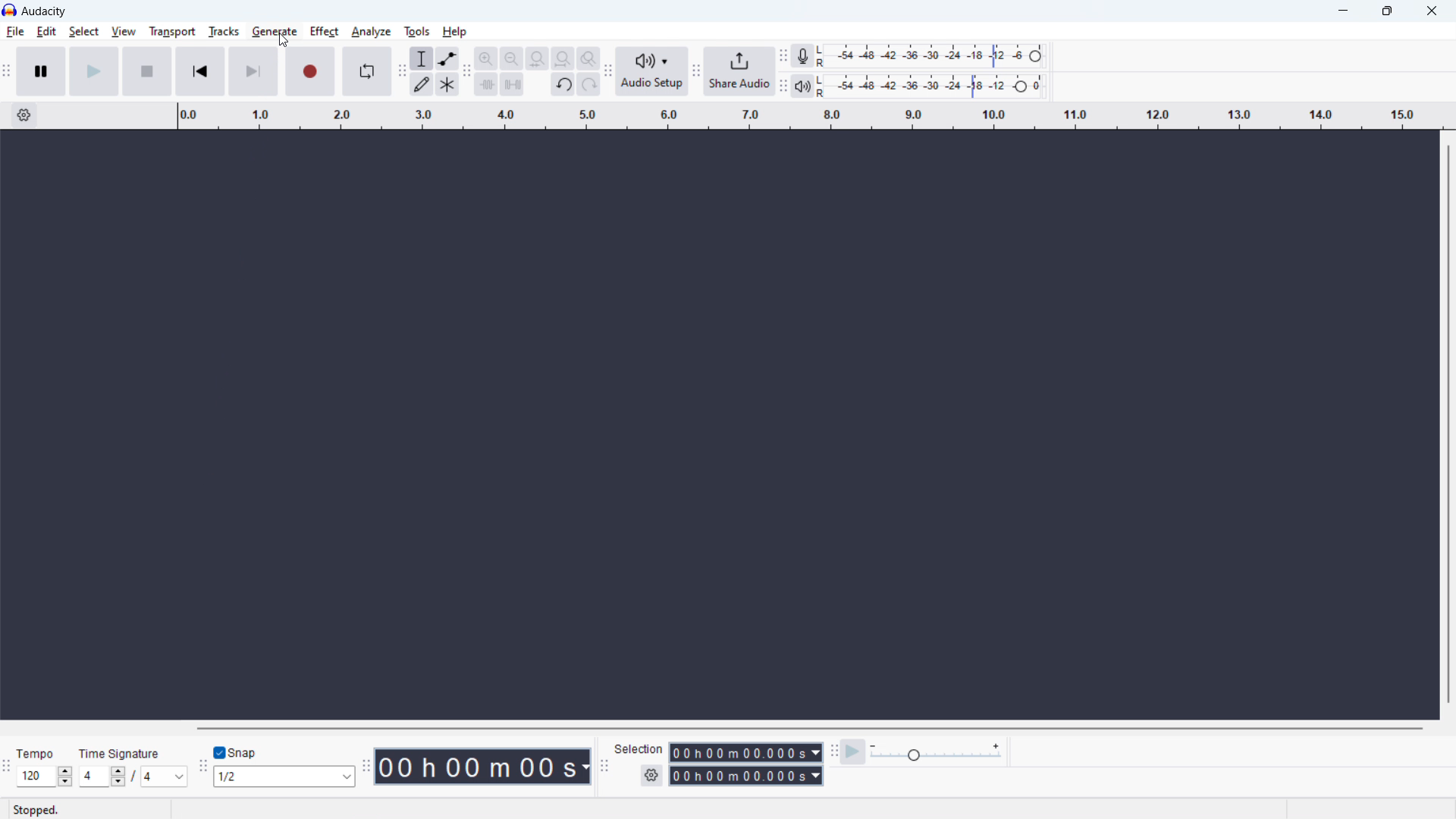  I want to click on recording meter toolbar, so click(783, 56).